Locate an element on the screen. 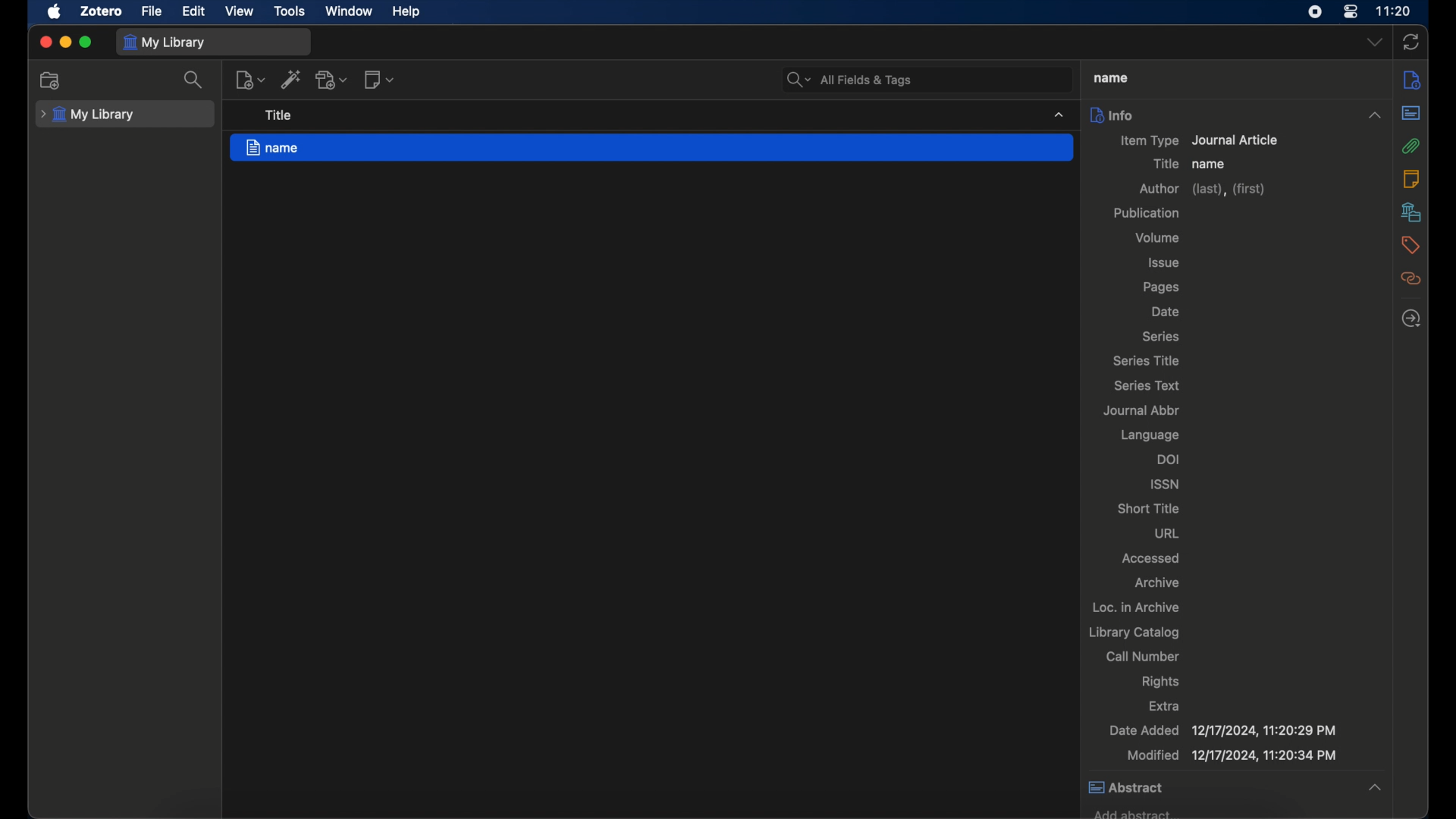 This screenshot has height=819, width=1456. url is located at coordinates (1168, 532).